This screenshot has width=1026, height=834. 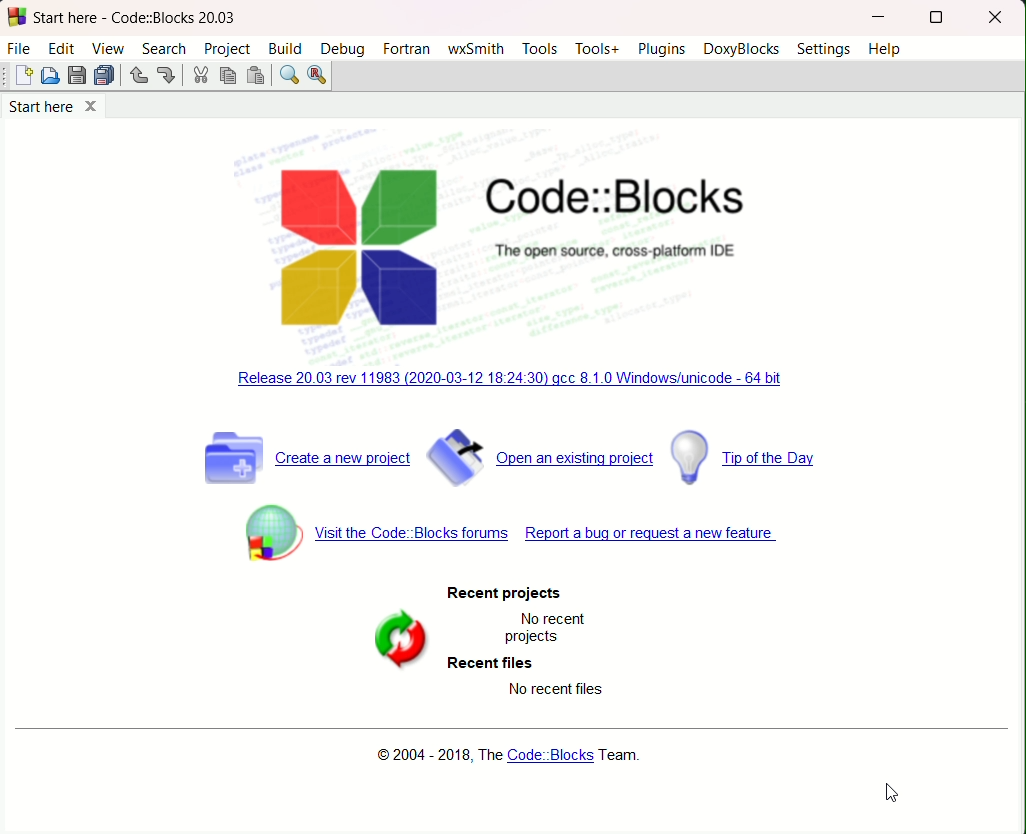 What do you see at coordinates (504, 756) in the screenshot?
I see `Copyright` at bounding box center [504, 756].